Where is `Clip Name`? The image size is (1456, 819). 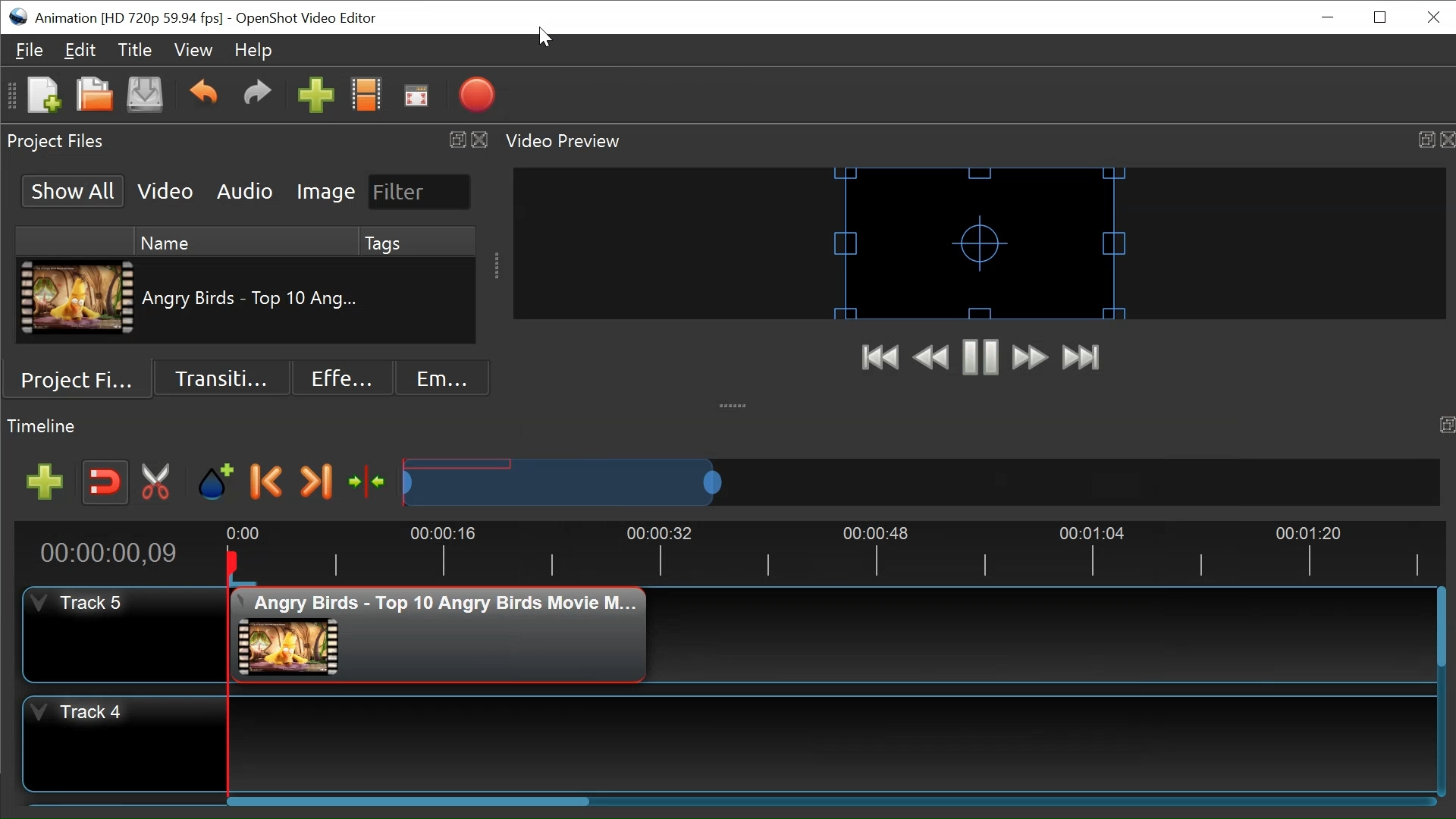 Clip Name is located at coordinates (253, 300).